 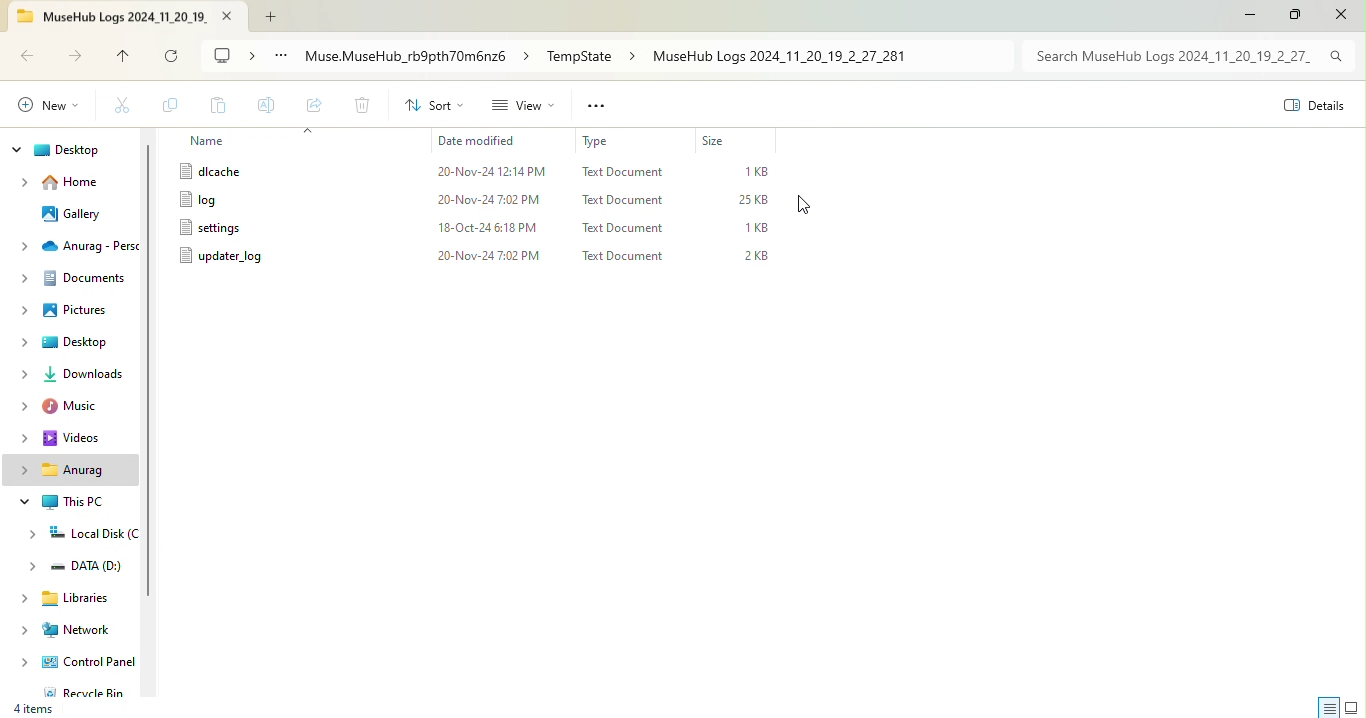 What do you see at coordinates (1329, 704) in the screenshot?
I see `Display information about each item in the windows` at bounding box center [1329, 704].